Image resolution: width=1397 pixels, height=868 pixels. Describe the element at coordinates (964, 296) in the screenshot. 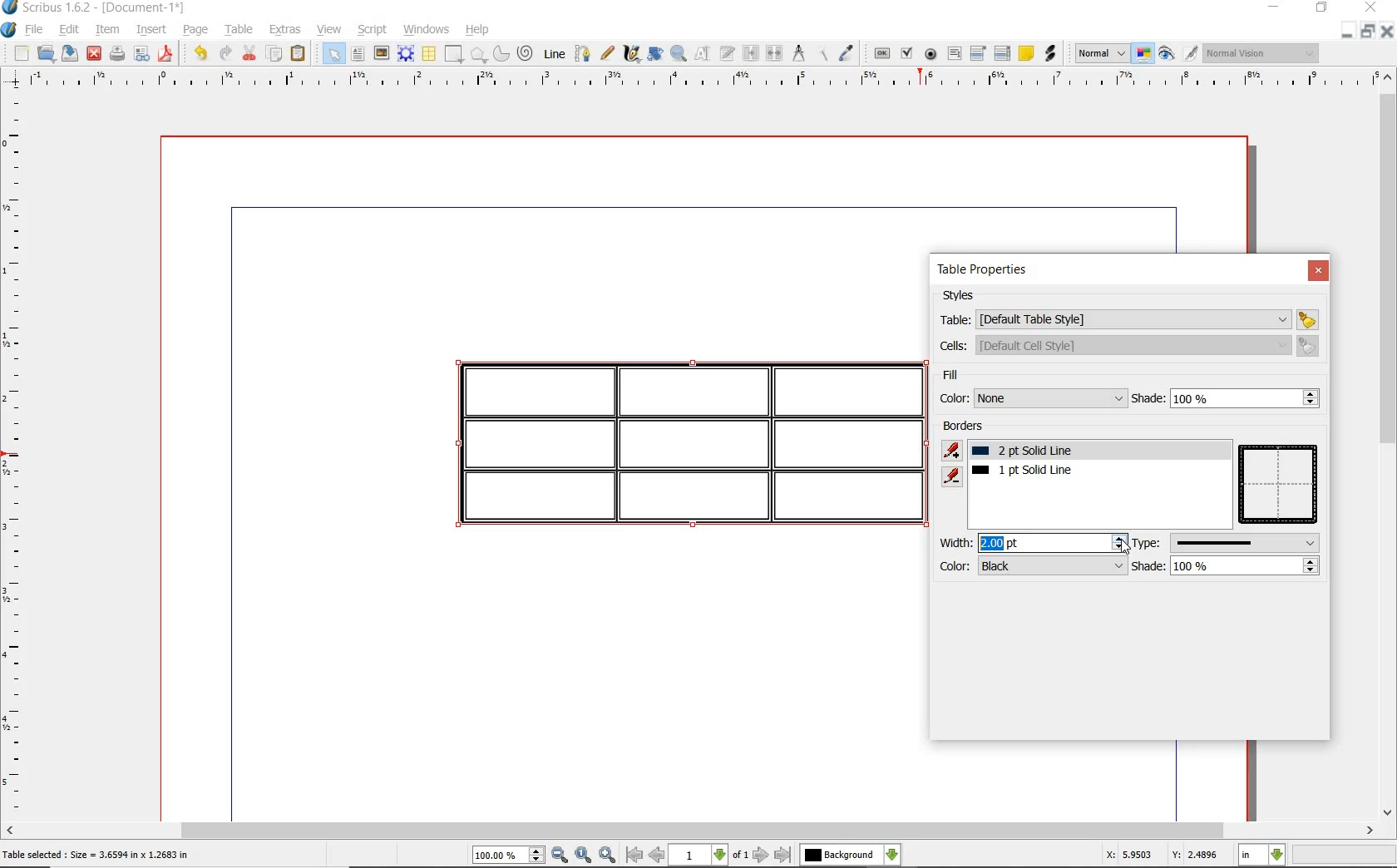

I see `styles` at that location.